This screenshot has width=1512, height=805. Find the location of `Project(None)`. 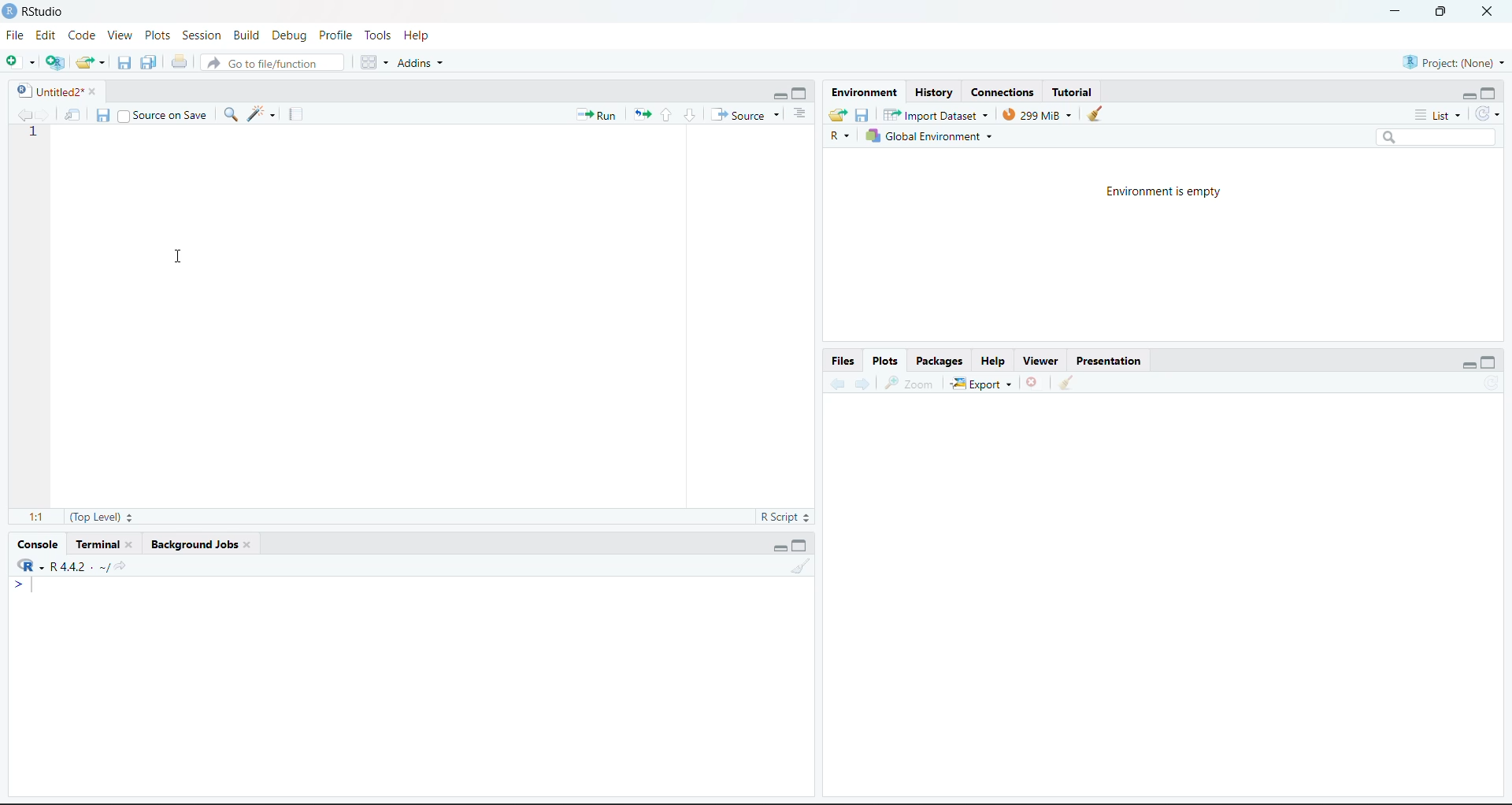

Project(None) is located at coordinates (1457, 62).